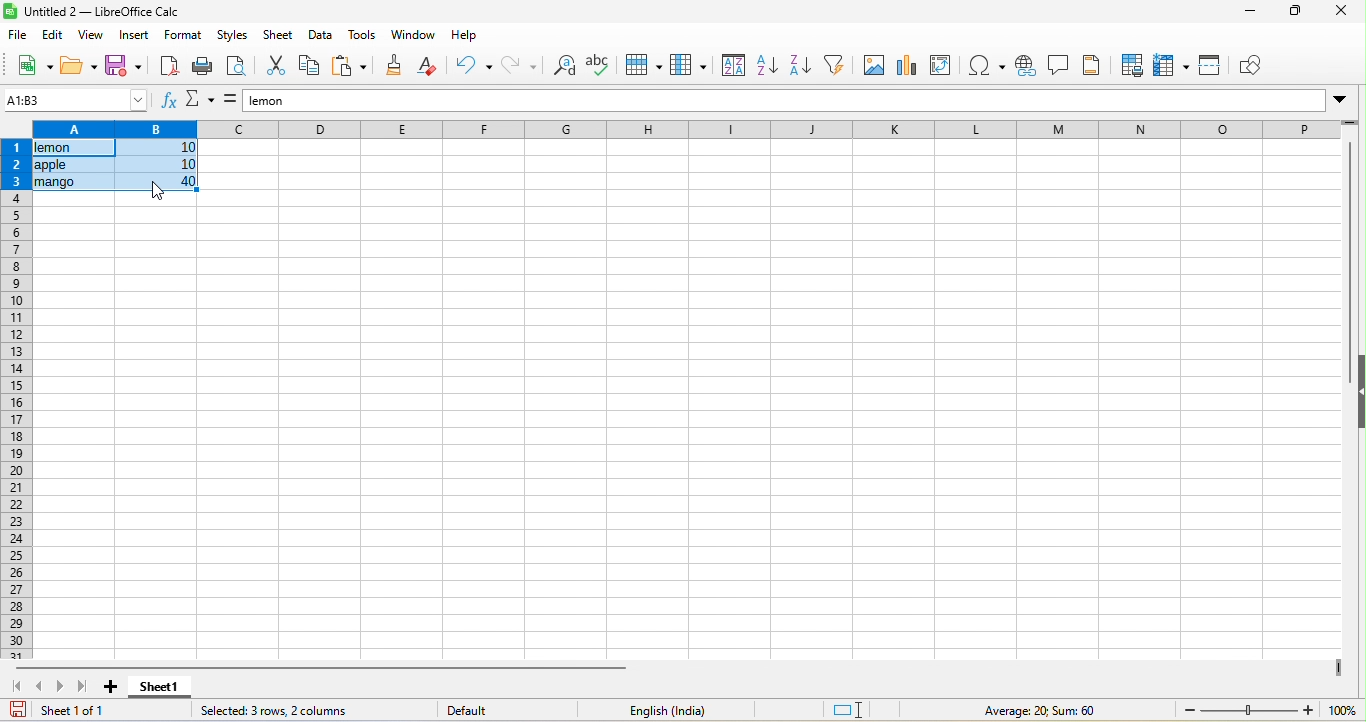 The image size is (1366, 722). I want to click on undo, so click(473, 67).